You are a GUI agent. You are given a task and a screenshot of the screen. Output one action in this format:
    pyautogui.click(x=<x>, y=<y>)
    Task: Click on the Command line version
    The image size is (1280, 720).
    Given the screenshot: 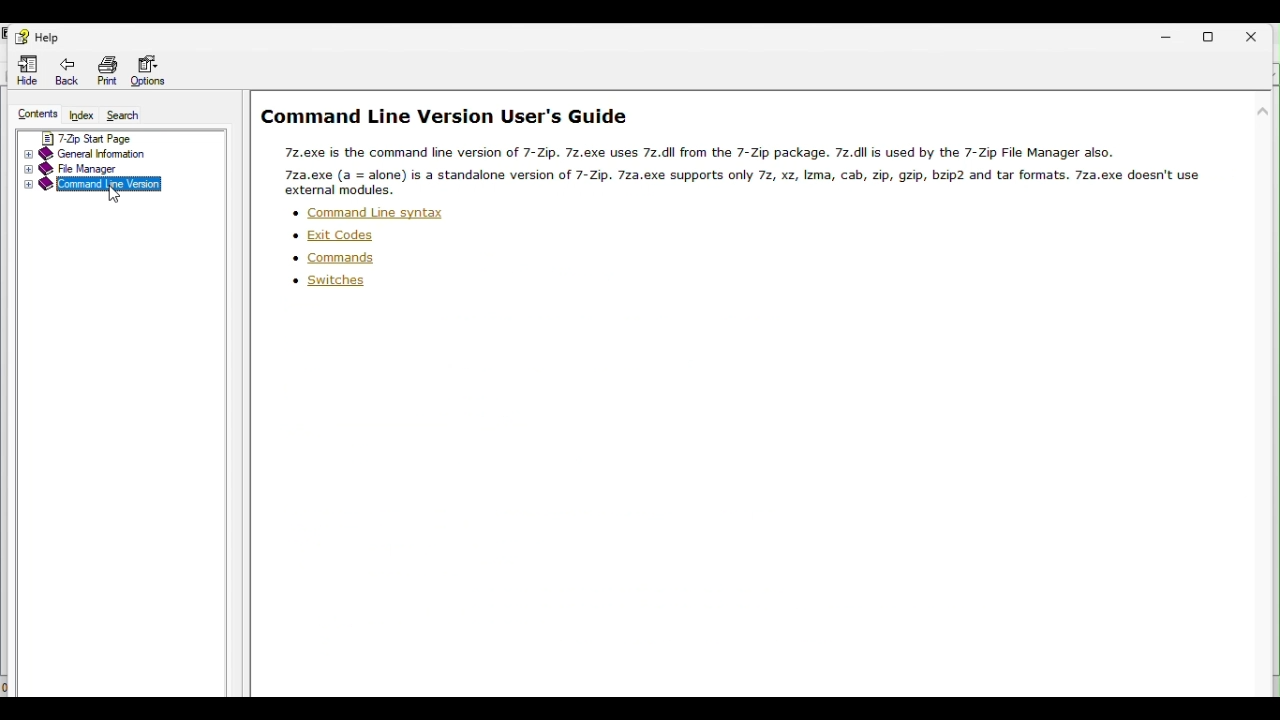 What is the action you would take?
    pyautogui.click(x=111, y=184)
    